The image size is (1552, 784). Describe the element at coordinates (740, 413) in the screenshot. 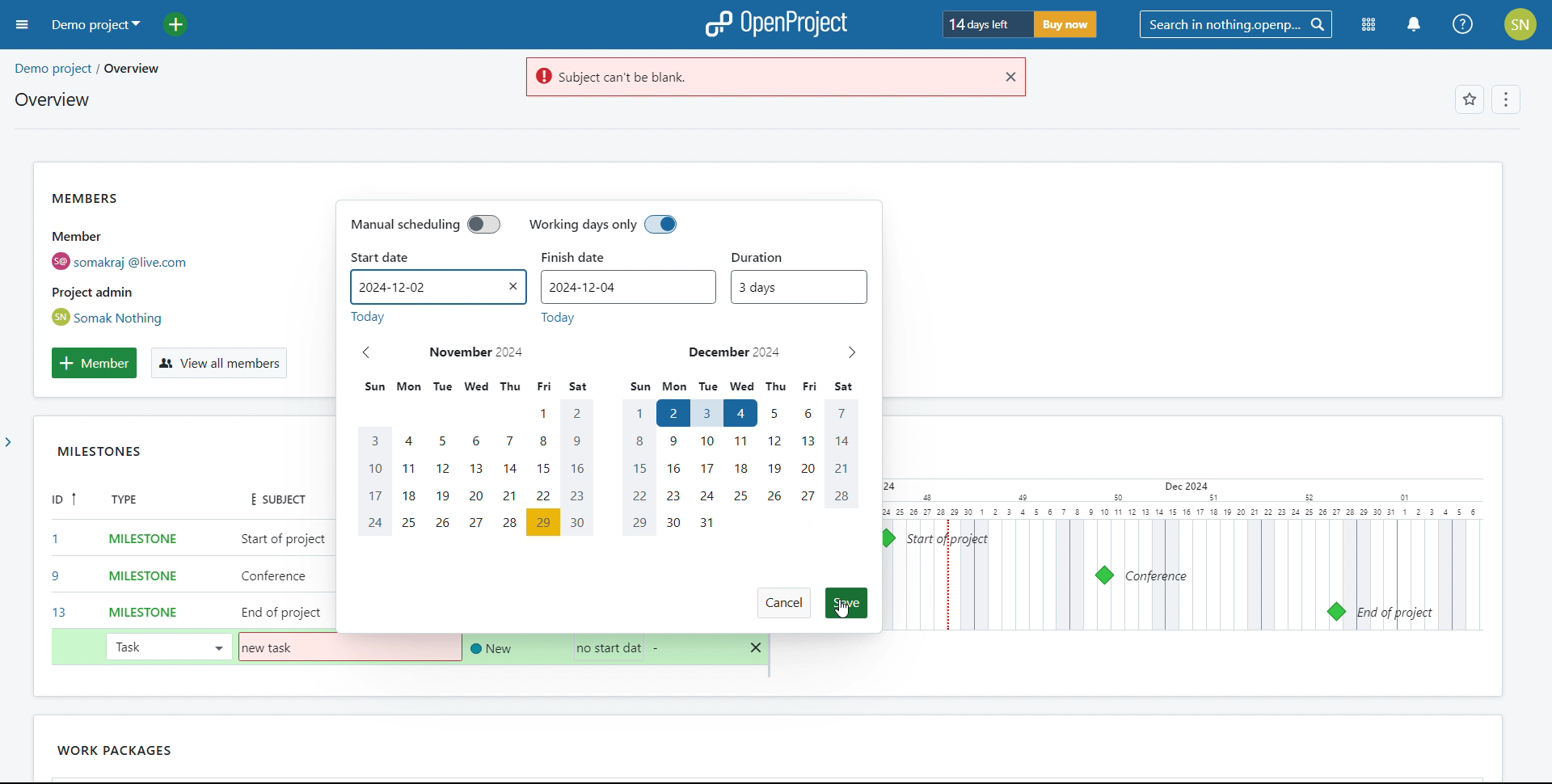

I see `hovering on end date` at that location.